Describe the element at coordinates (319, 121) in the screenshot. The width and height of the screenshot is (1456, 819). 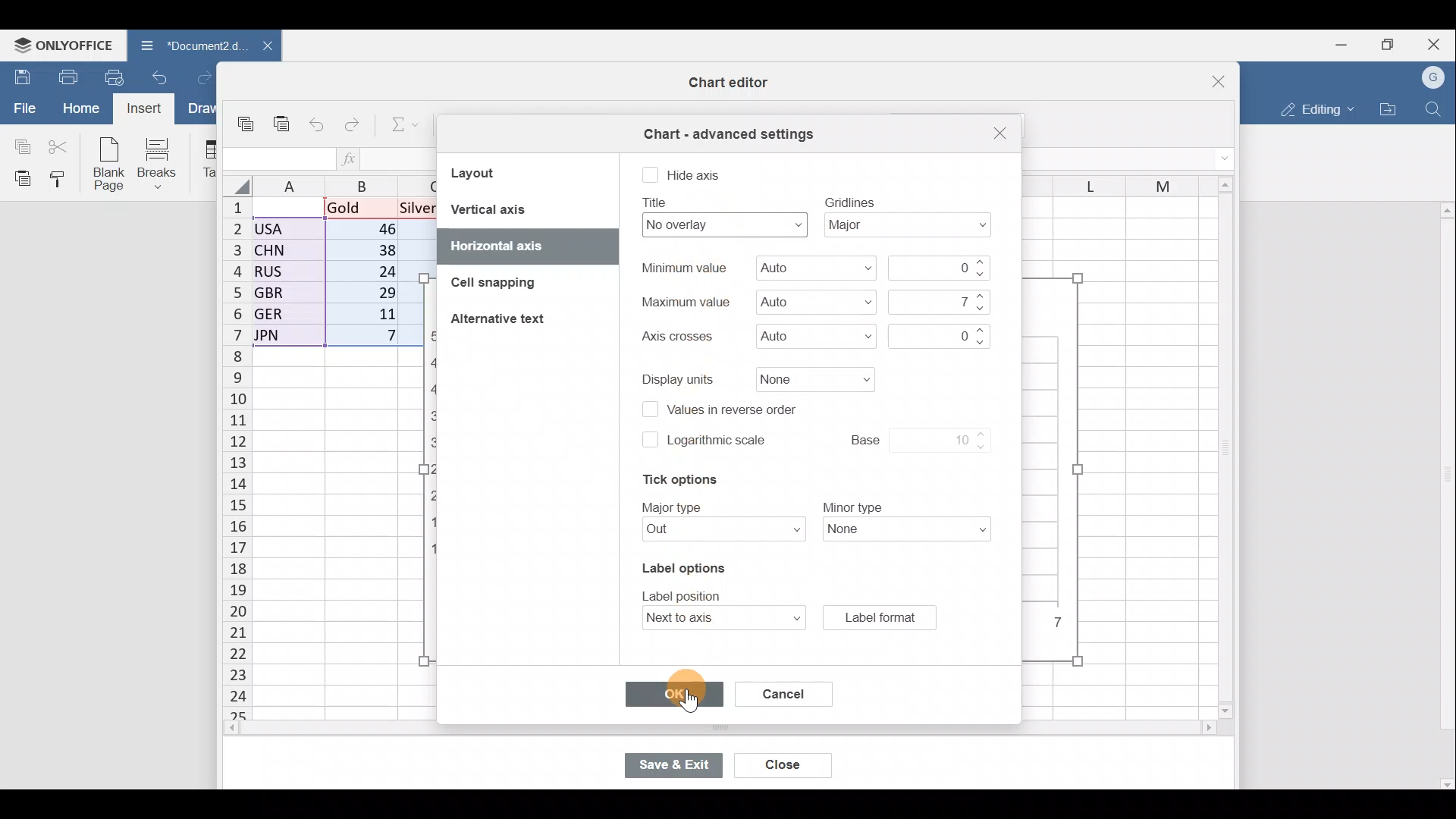
I see `Undo` at that location.